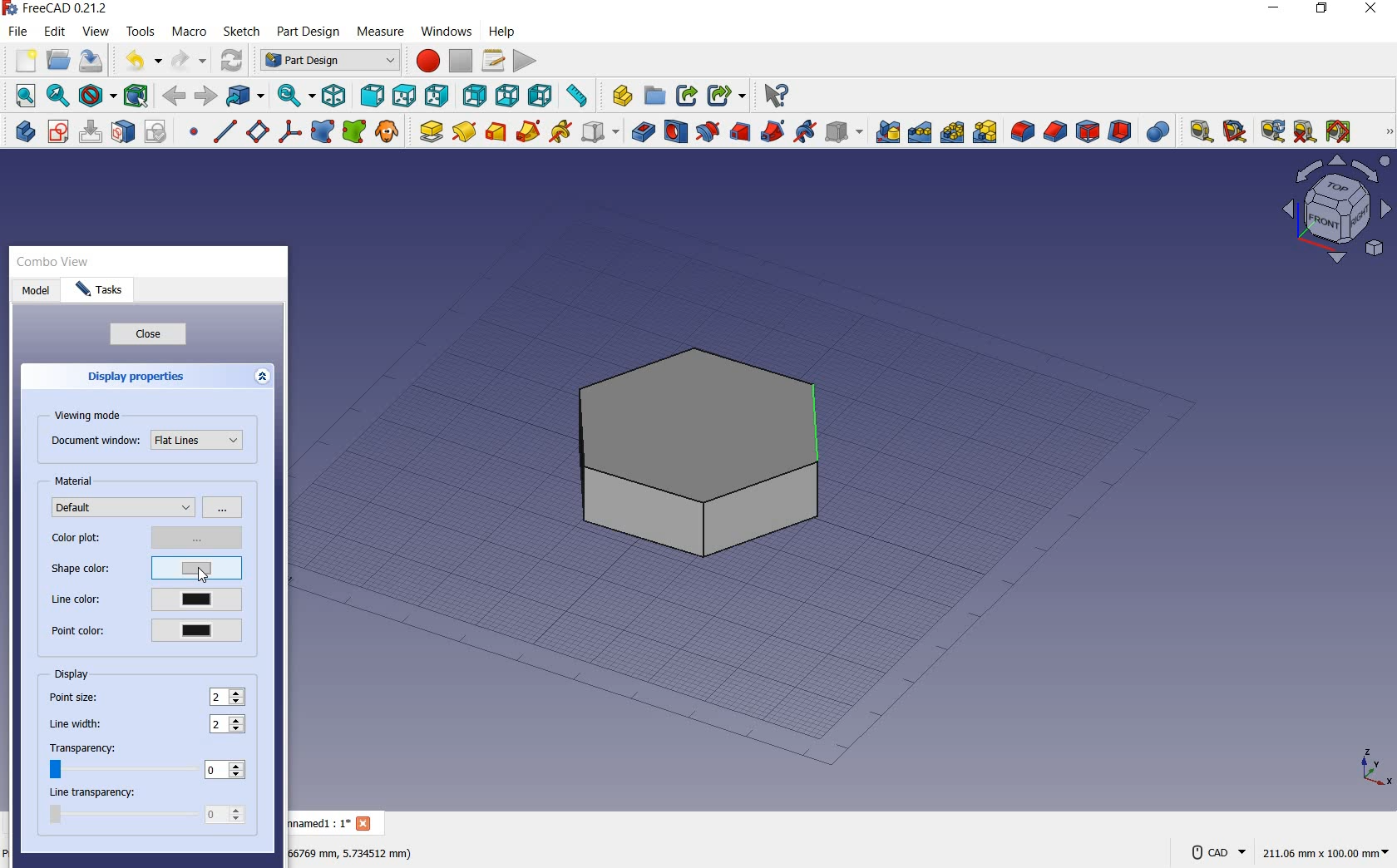 This screenshot has width=1397, height=868. Describe the element at coordinates (97, 29) in the screenshot. I see `view` at that location.